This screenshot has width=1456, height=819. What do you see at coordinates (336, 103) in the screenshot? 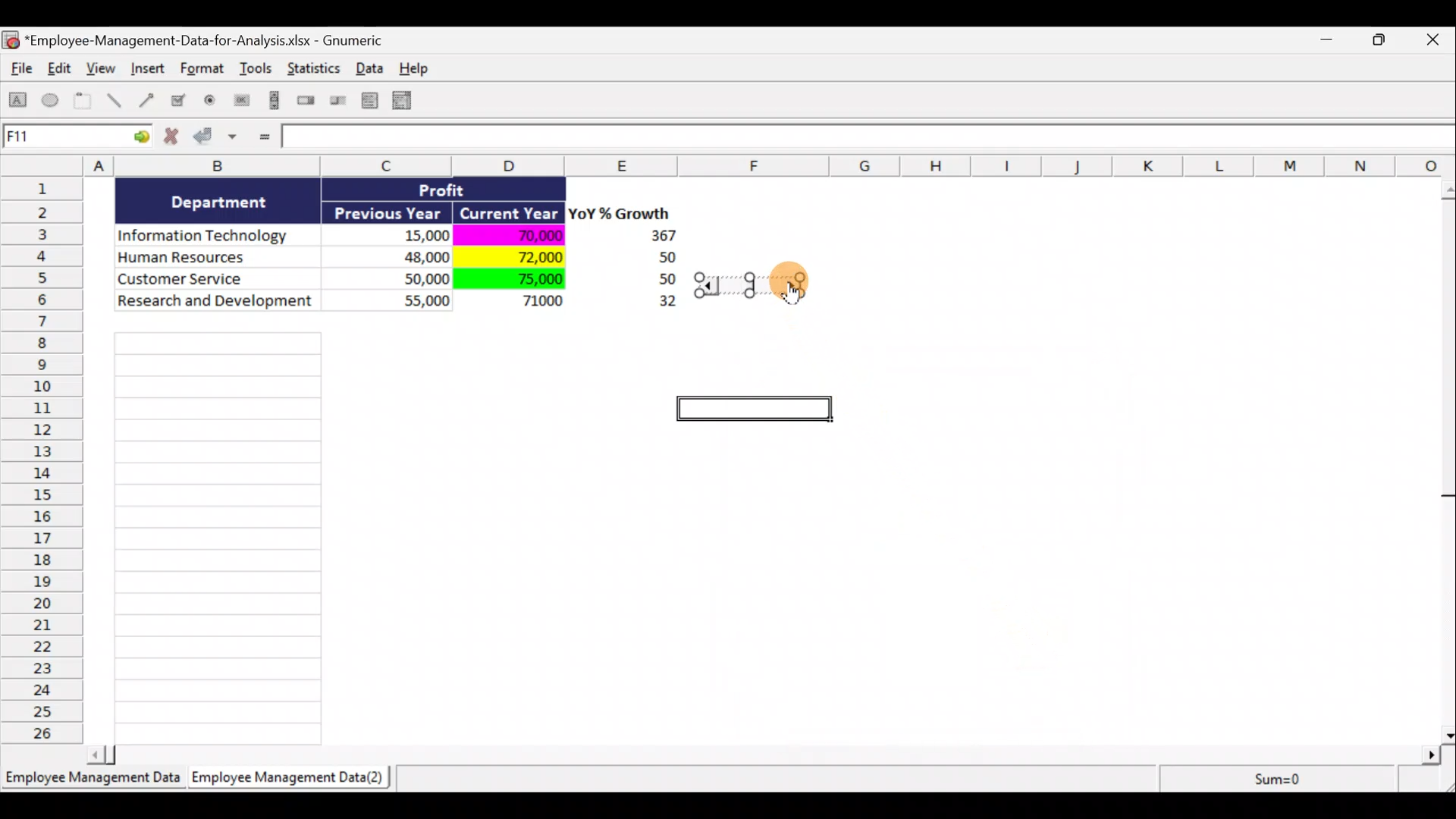
I see `Create a slider` at bounding box center [336, 103].